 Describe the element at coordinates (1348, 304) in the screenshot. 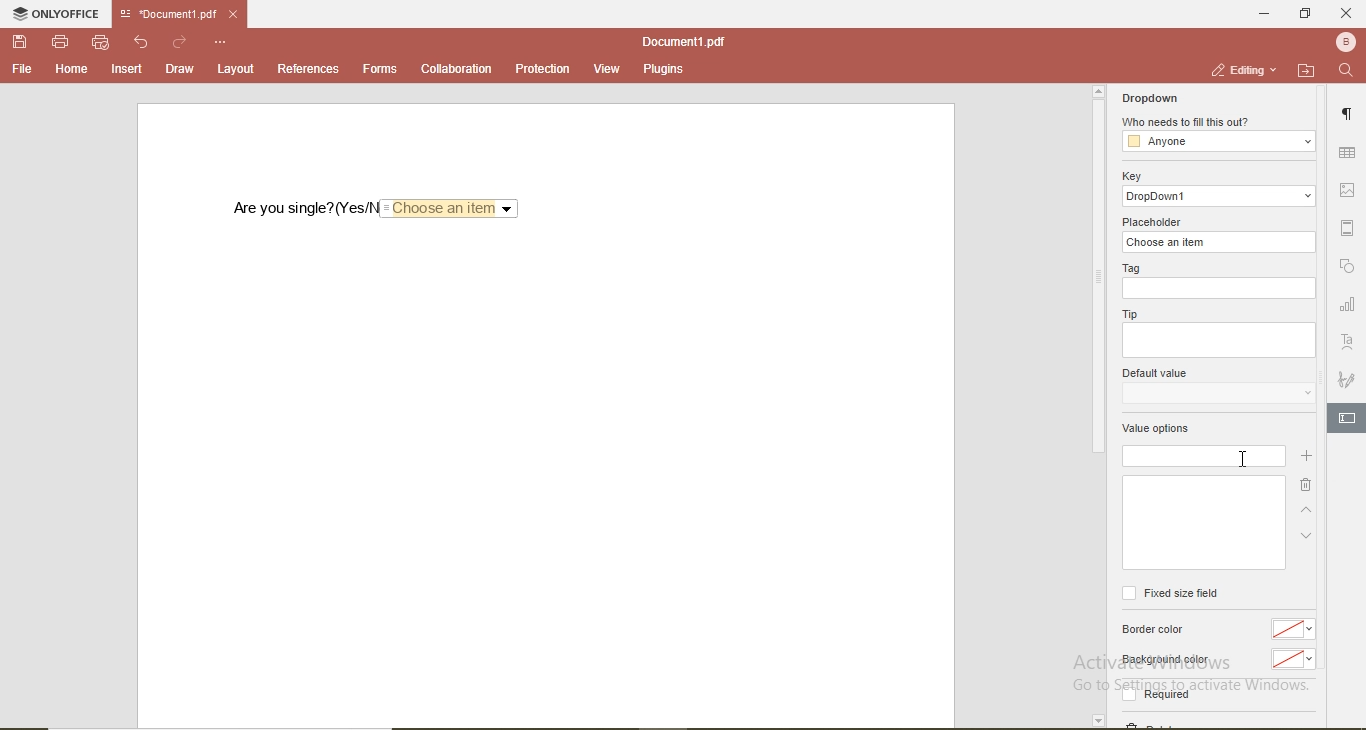

I see `chart` at that location.